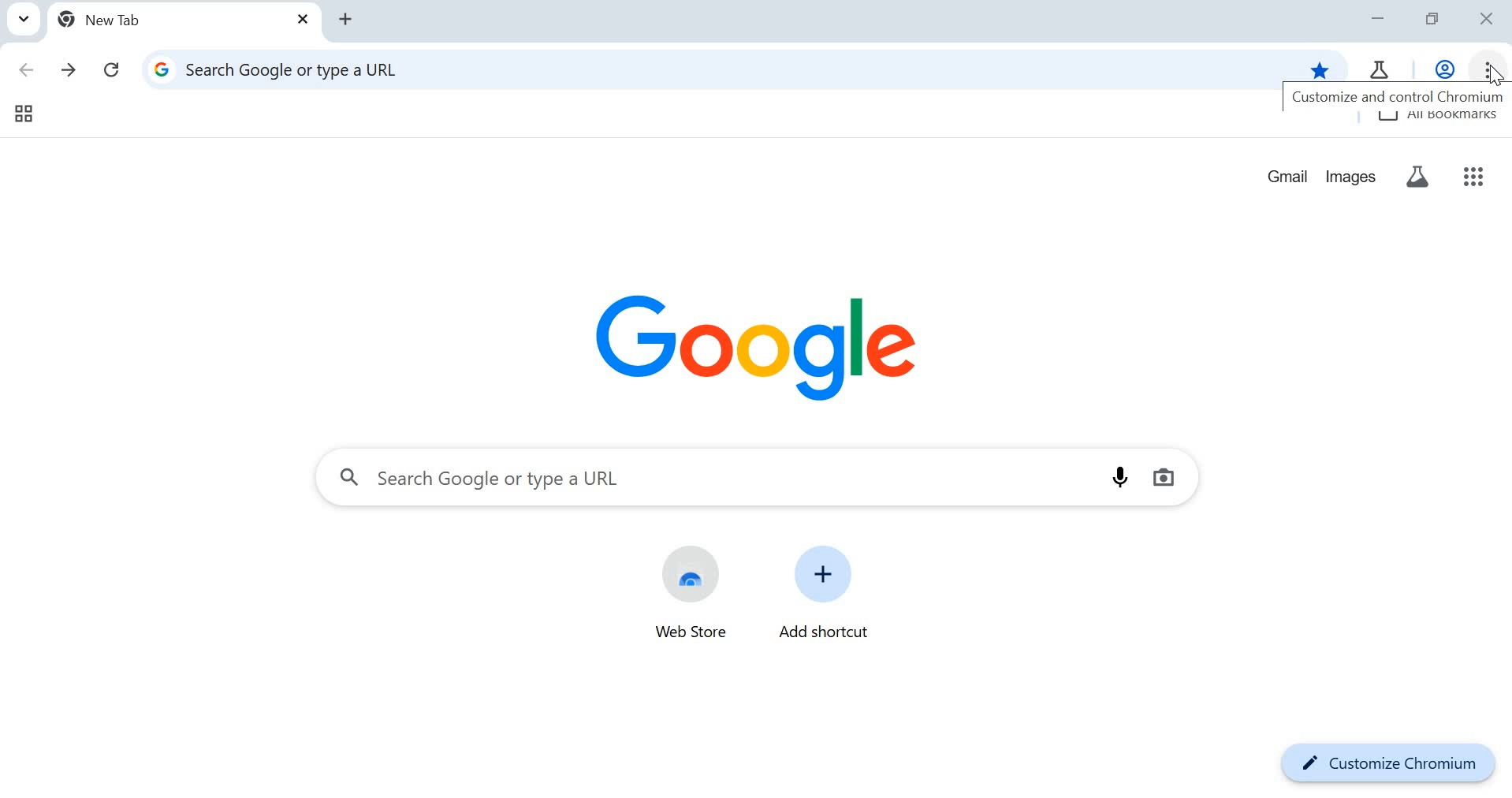 The image size is (1512, 798). What do you see at coordinates (1380, 19) in the screenshot?
I see `minimize` at bounding box center [1380, 19].